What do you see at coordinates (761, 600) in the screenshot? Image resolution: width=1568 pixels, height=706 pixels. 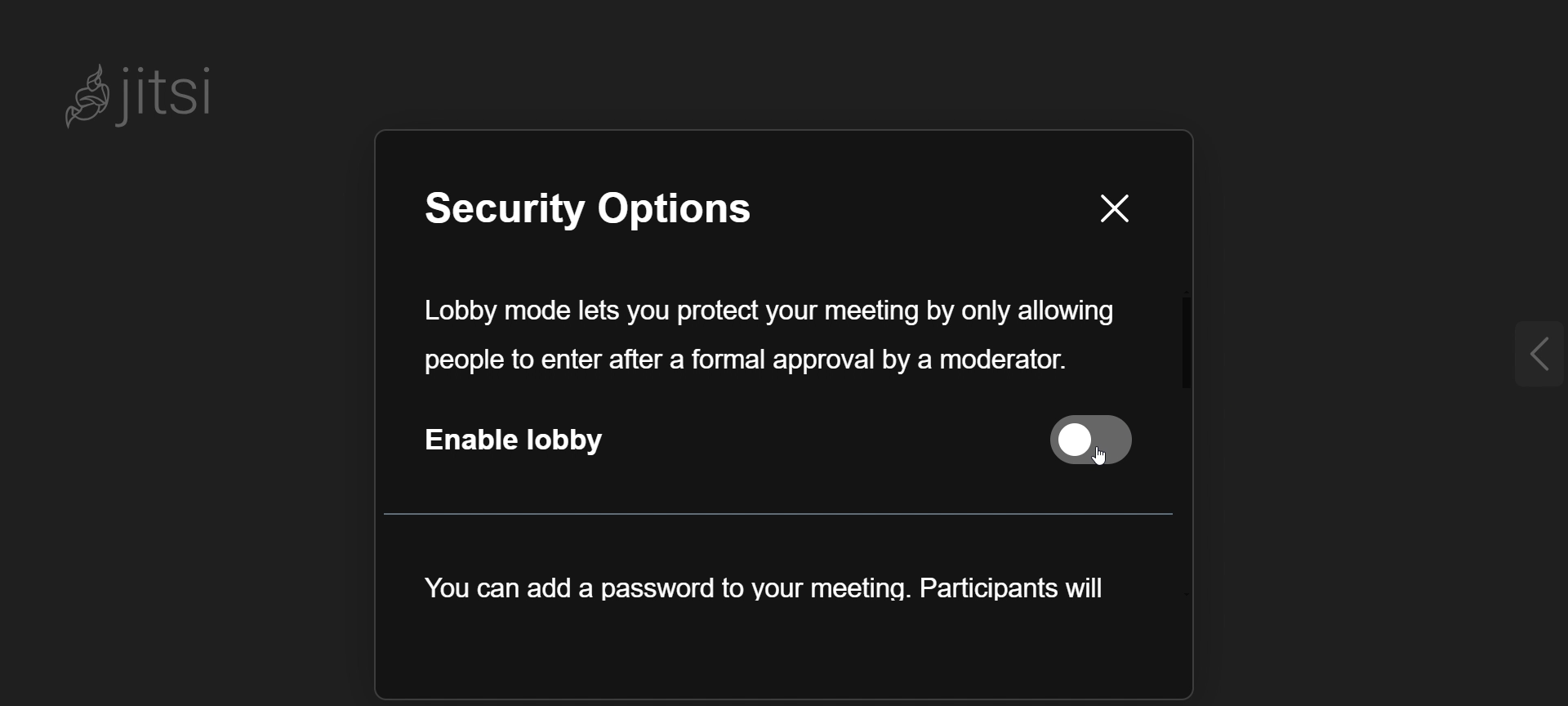 I see `You can add a password to your meeting. Participants will` at bounding box center [761, 600].